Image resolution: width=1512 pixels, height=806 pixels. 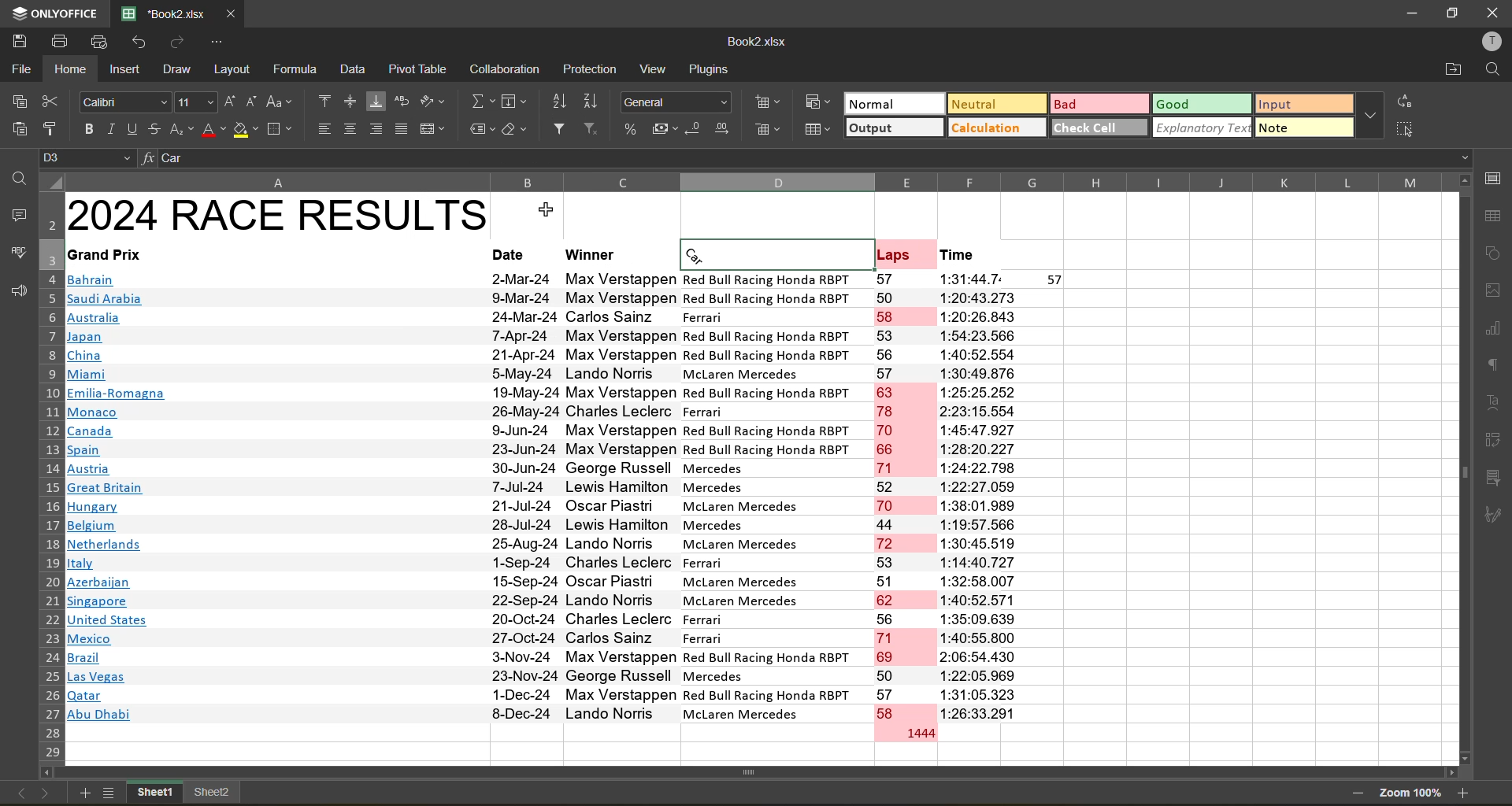 I want to click on Countires name, so click(x=118, y=497).